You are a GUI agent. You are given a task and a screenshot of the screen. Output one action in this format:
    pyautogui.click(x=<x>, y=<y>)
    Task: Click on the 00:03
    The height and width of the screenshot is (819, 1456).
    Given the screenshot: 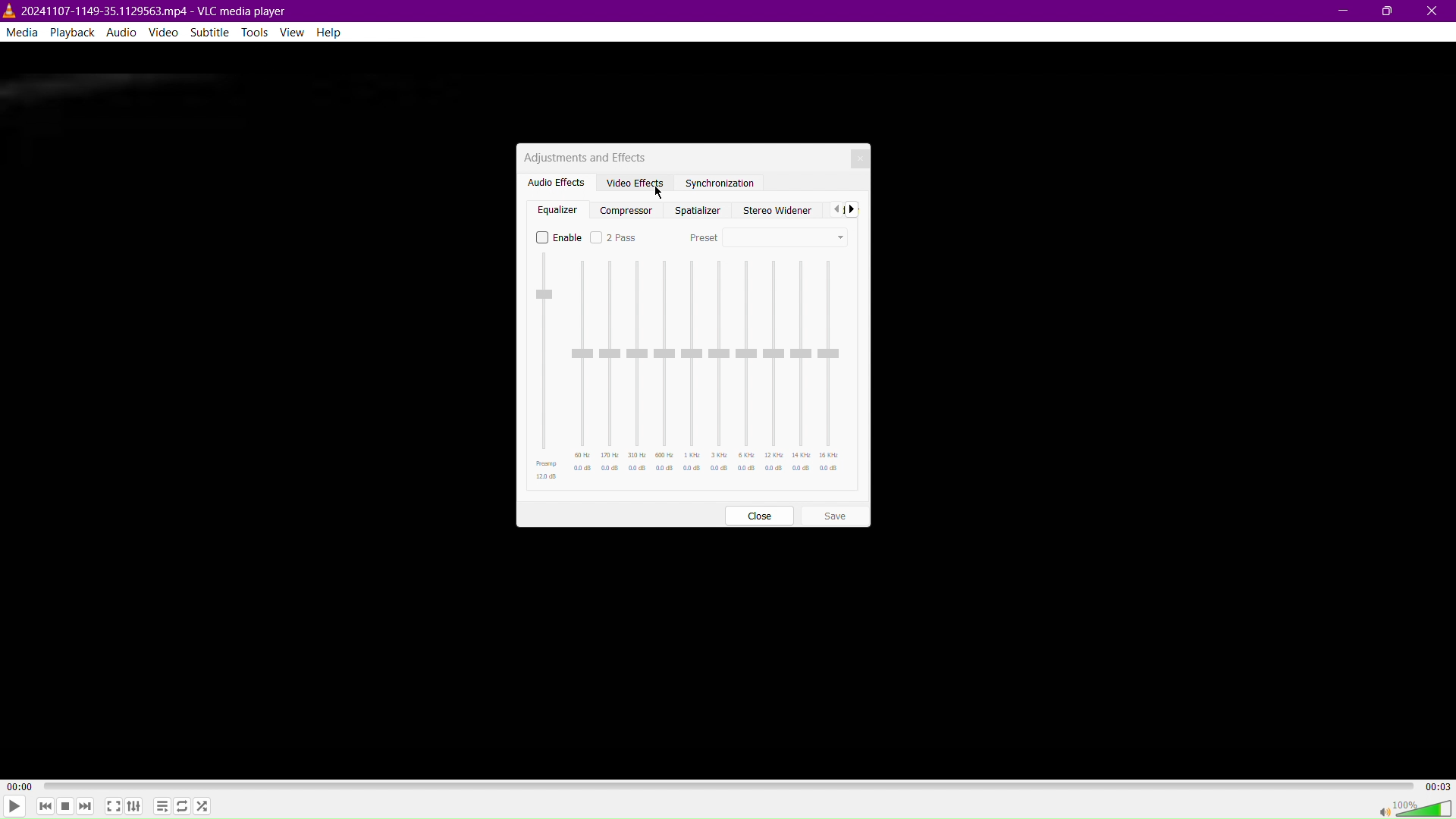 What is the action you would take?
    pyautogui.click(x=1437, y=785)
    